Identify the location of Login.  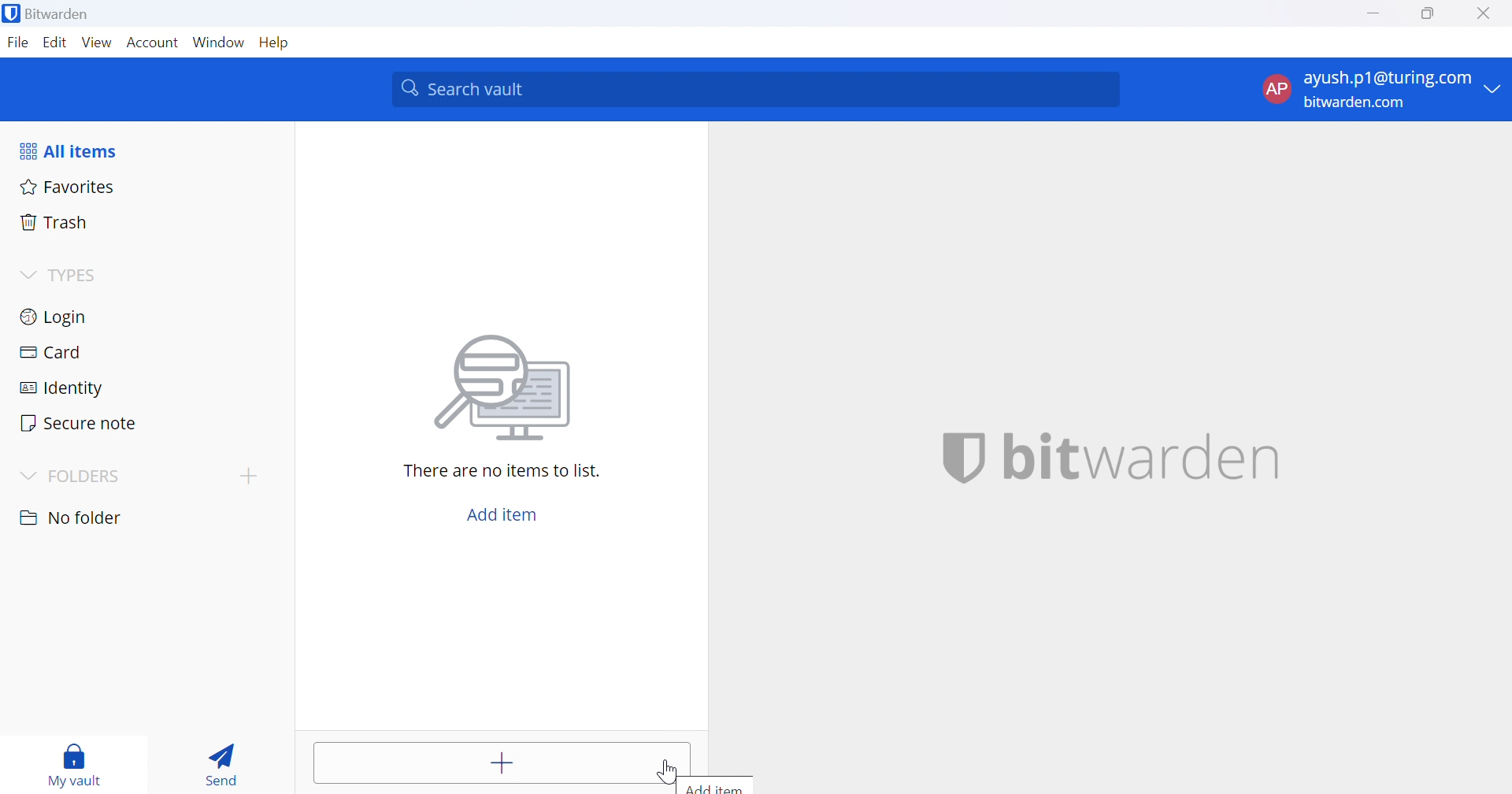
(56, 315).